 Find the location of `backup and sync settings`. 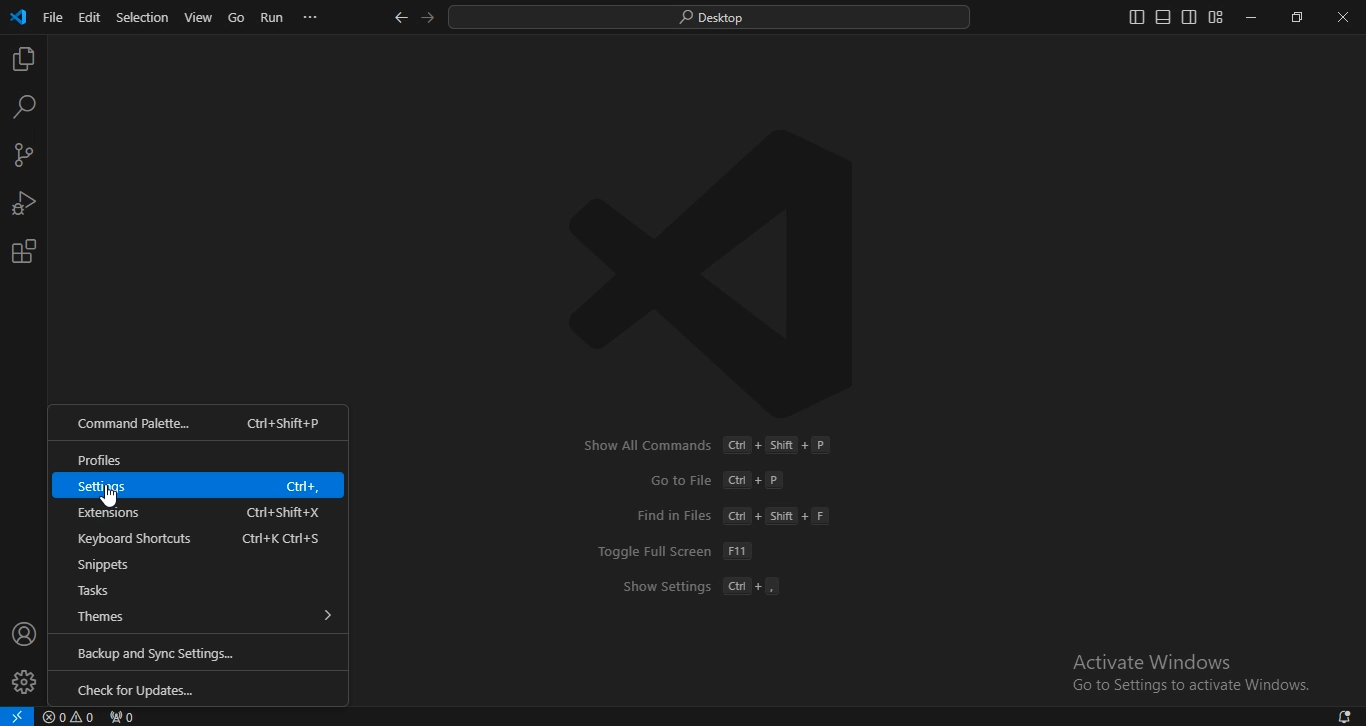

backup and sync settings is located at coordinates (205, 651).